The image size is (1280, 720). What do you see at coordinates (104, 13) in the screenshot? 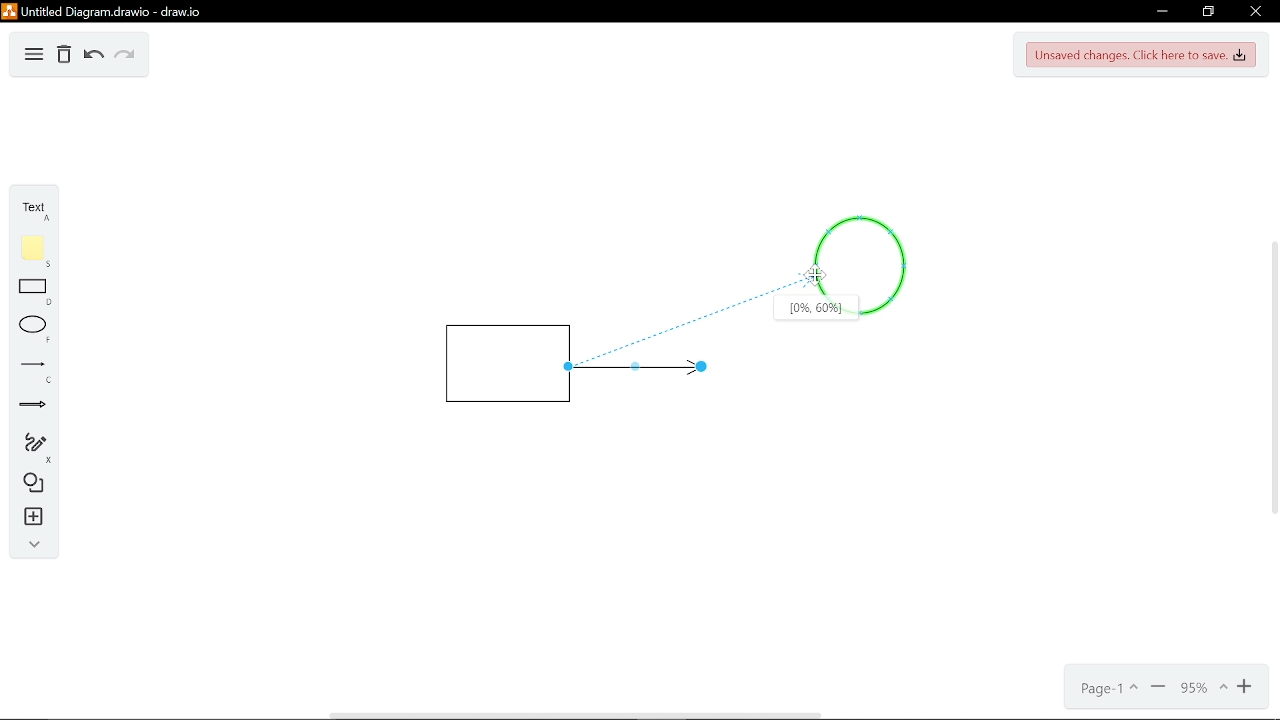
I see `Untitled diagram drawio` at bounding box center [104, 13].